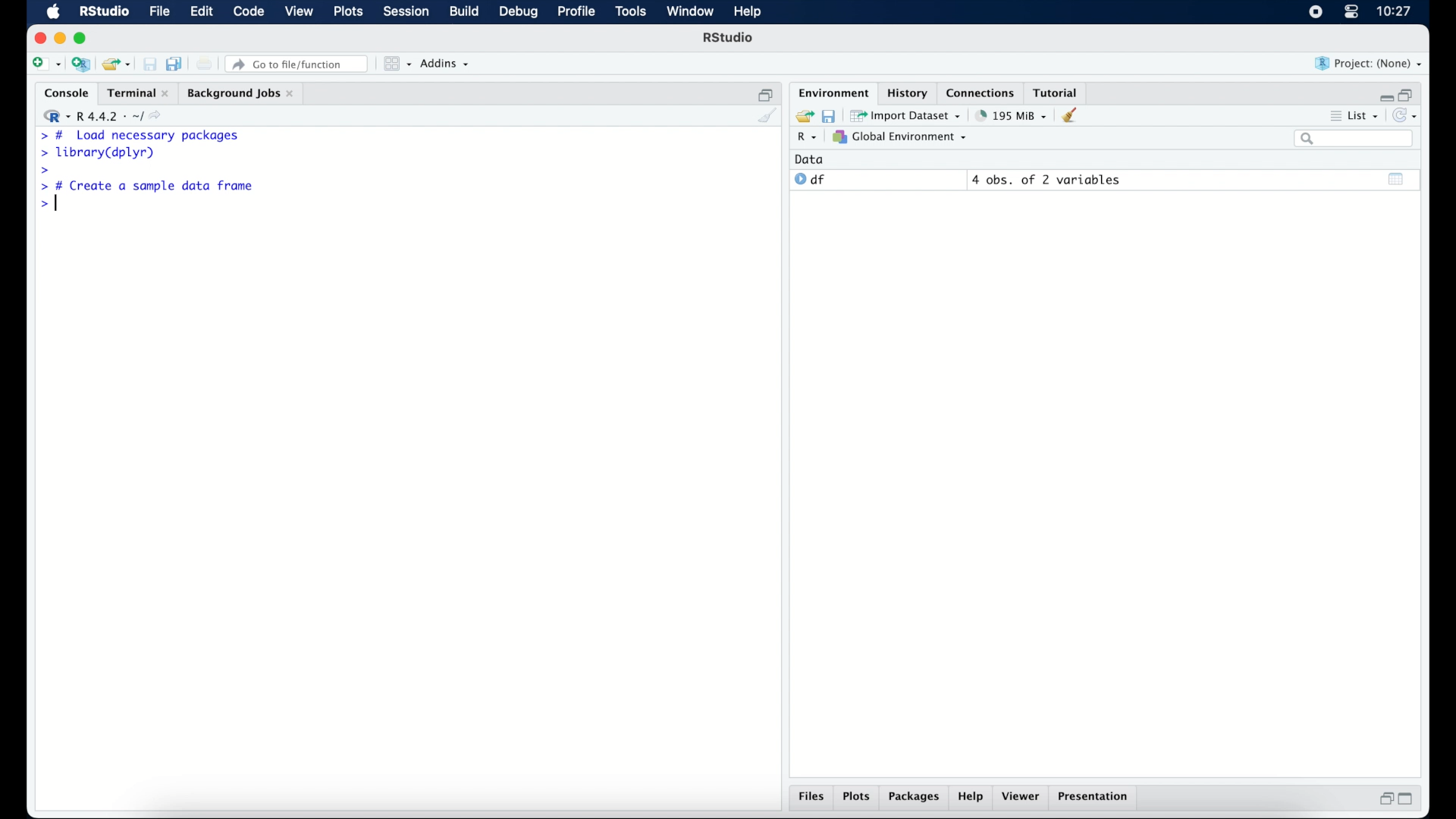 The image size is (1456, 819). Describe the element at coordinates (766, 93) in the screenshot. I see `restore down` at that location.